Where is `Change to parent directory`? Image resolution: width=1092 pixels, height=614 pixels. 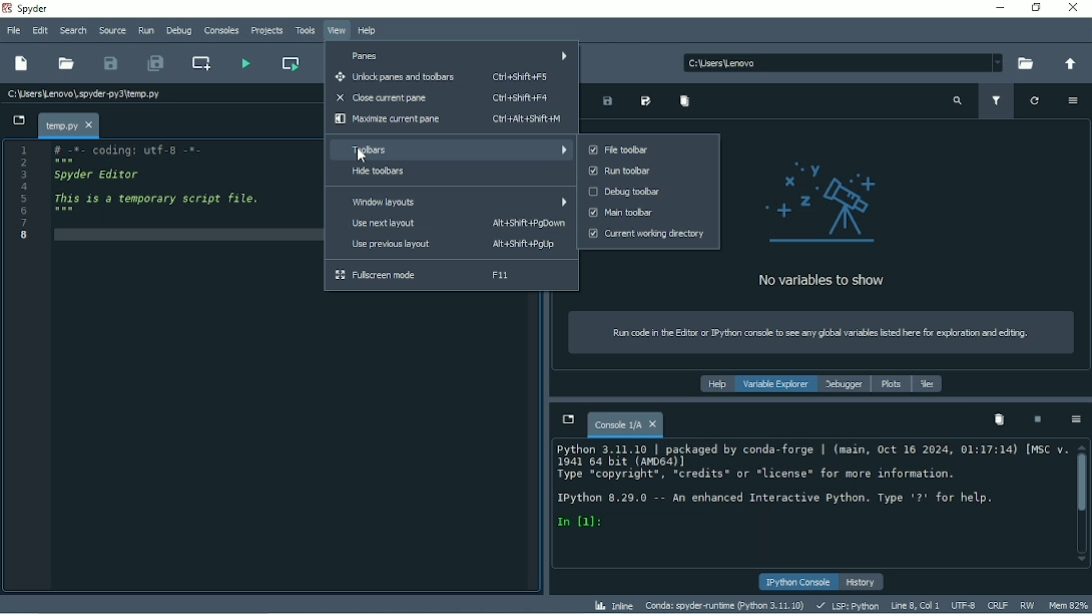
Change to parent directory is located at coordinates (1066, 65).